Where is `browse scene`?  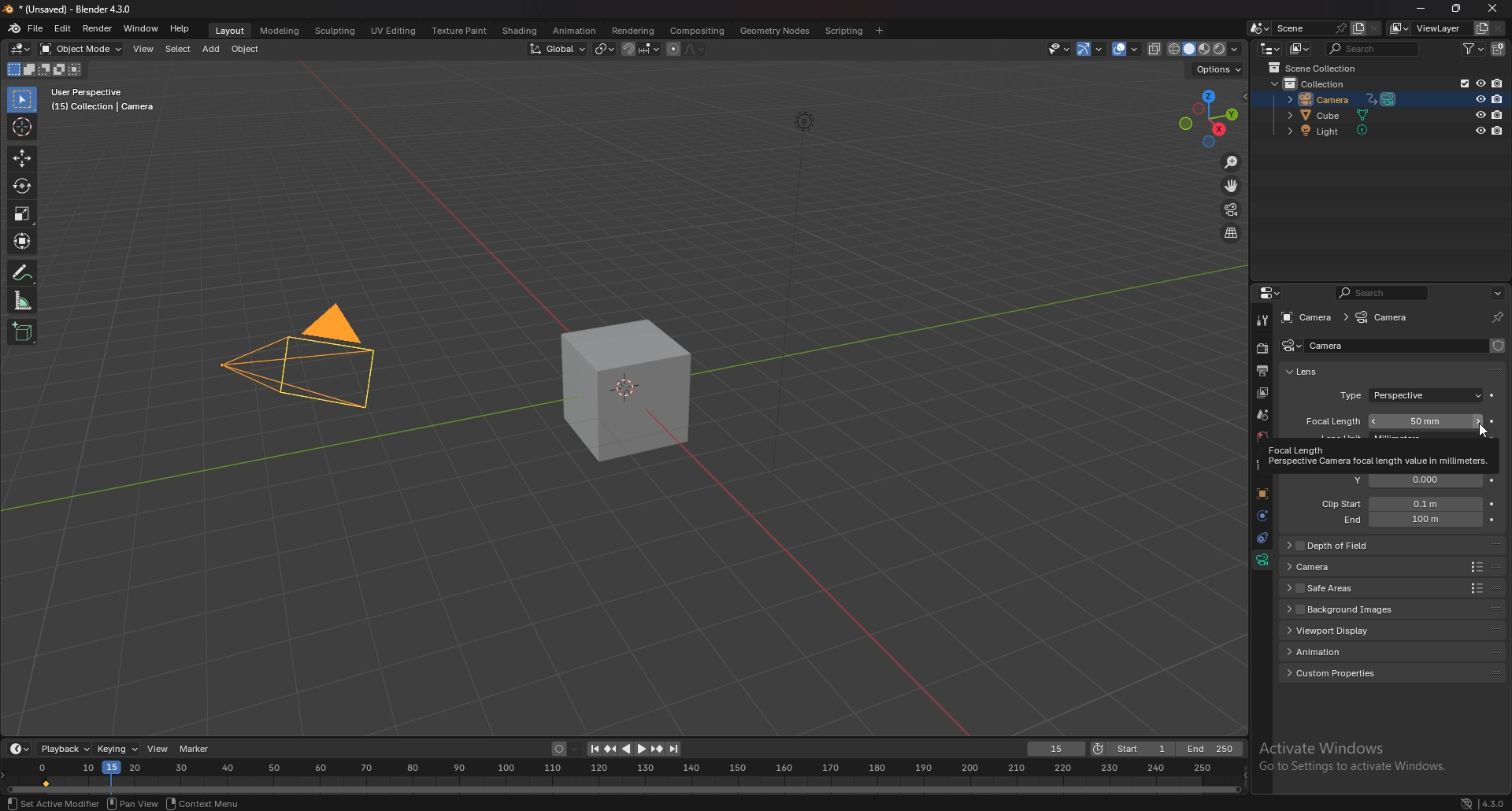 browse scene is located at coordinates (1258, 28).